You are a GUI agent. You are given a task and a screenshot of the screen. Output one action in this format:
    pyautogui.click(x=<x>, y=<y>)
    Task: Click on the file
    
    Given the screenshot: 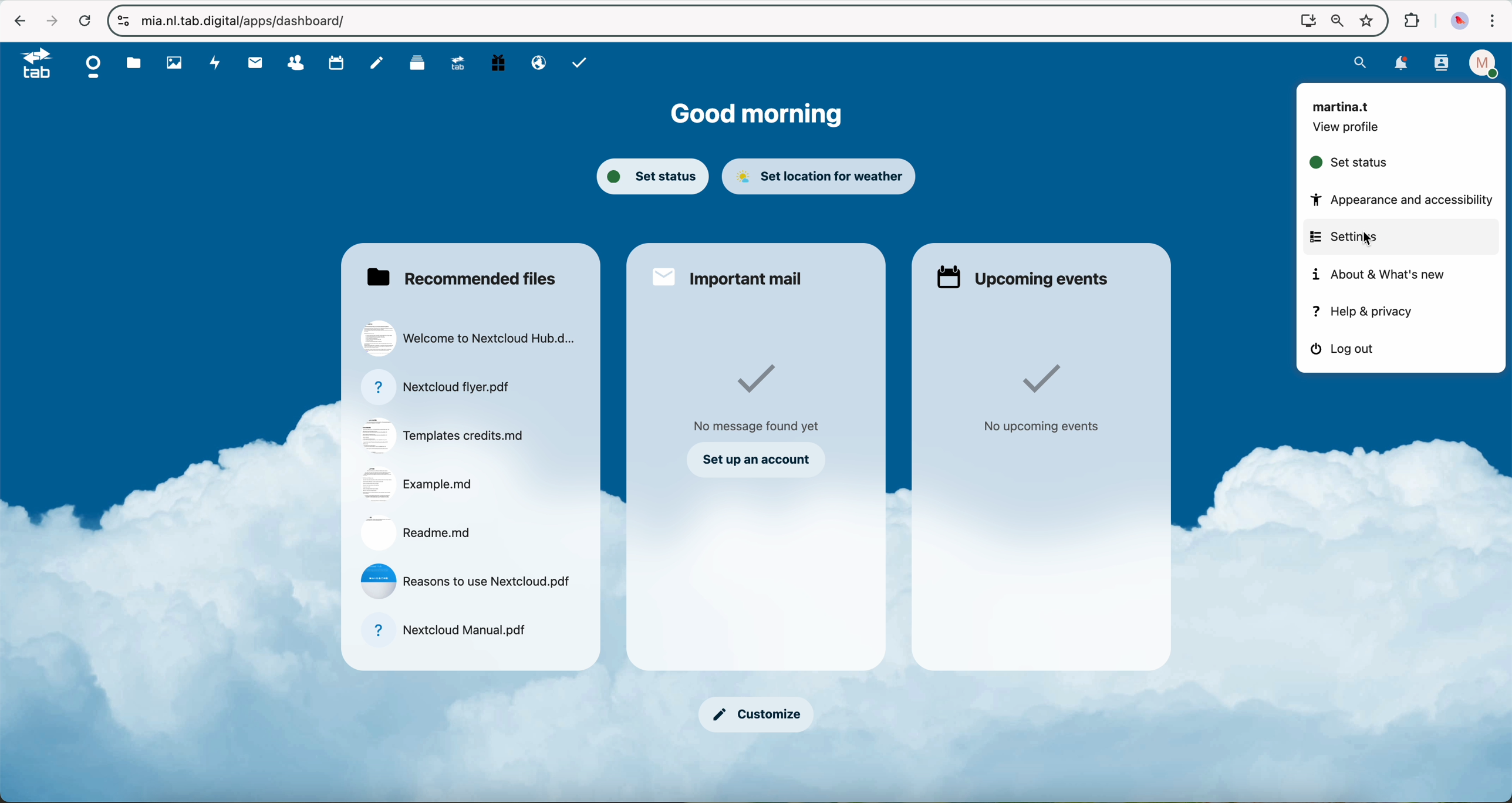 What is the action you would take?
    pyautogui.click(x=448, y=436)
    